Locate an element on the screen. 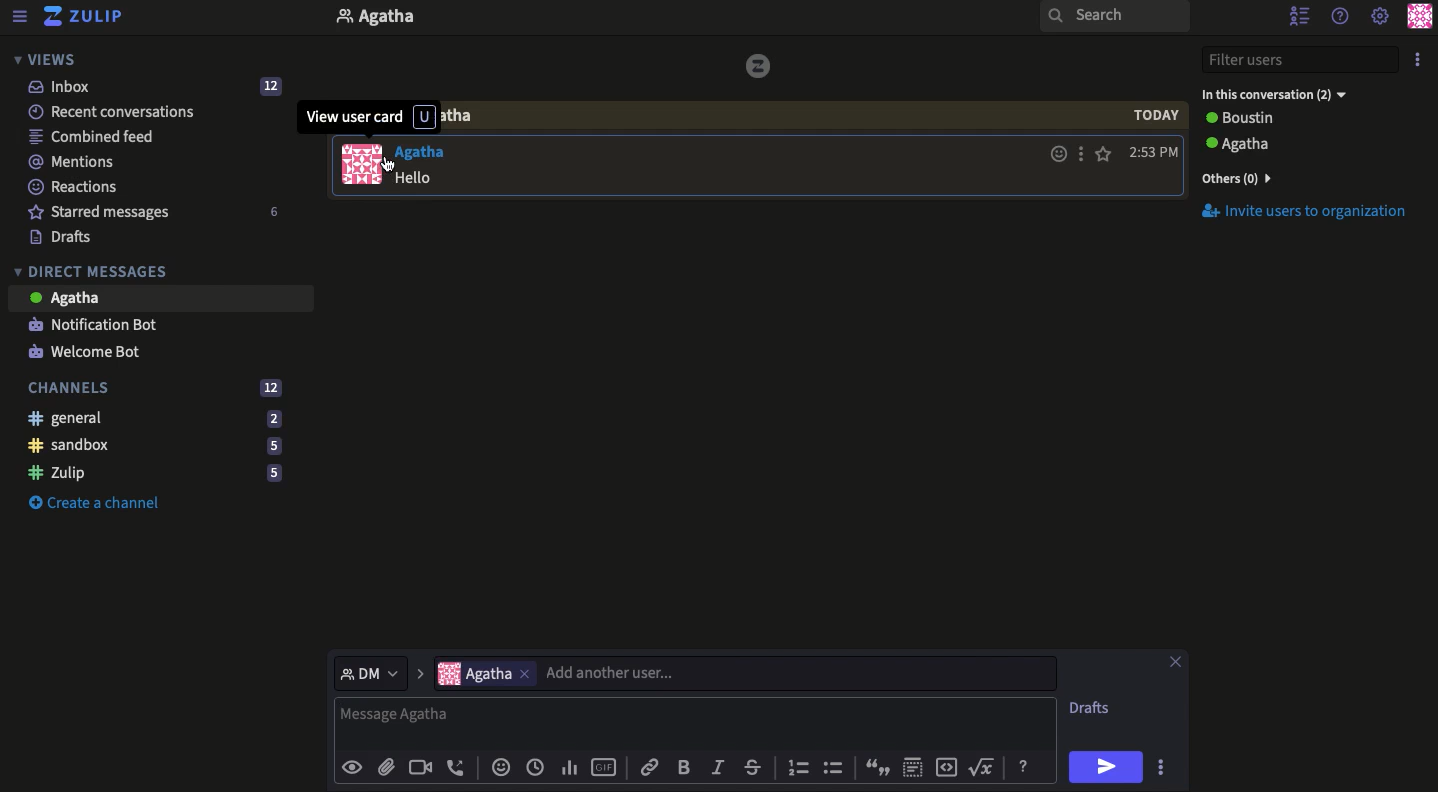  Views is located at coordinates (50, 60).